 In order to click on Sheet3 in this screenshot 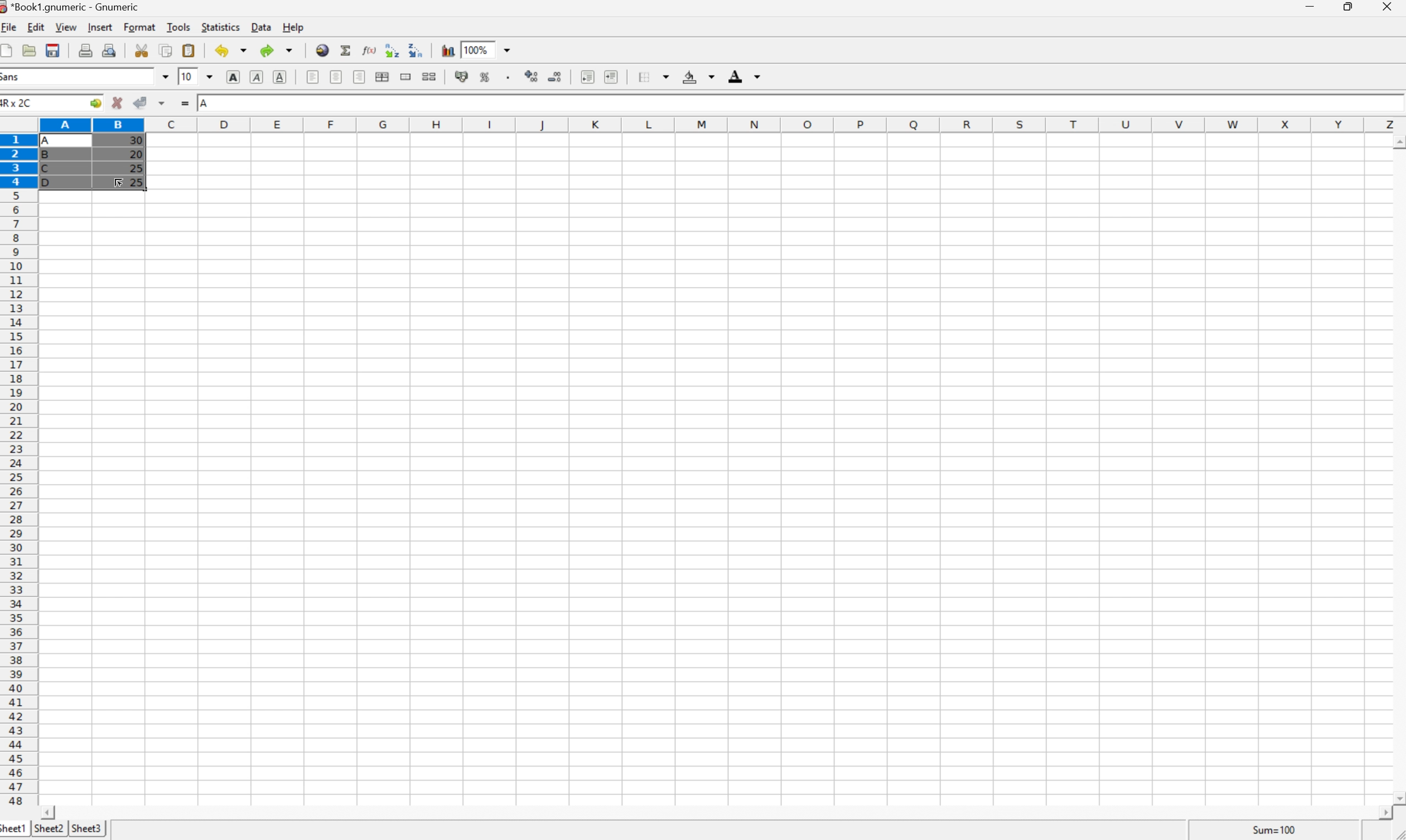, I will do `click(88, 827)`.